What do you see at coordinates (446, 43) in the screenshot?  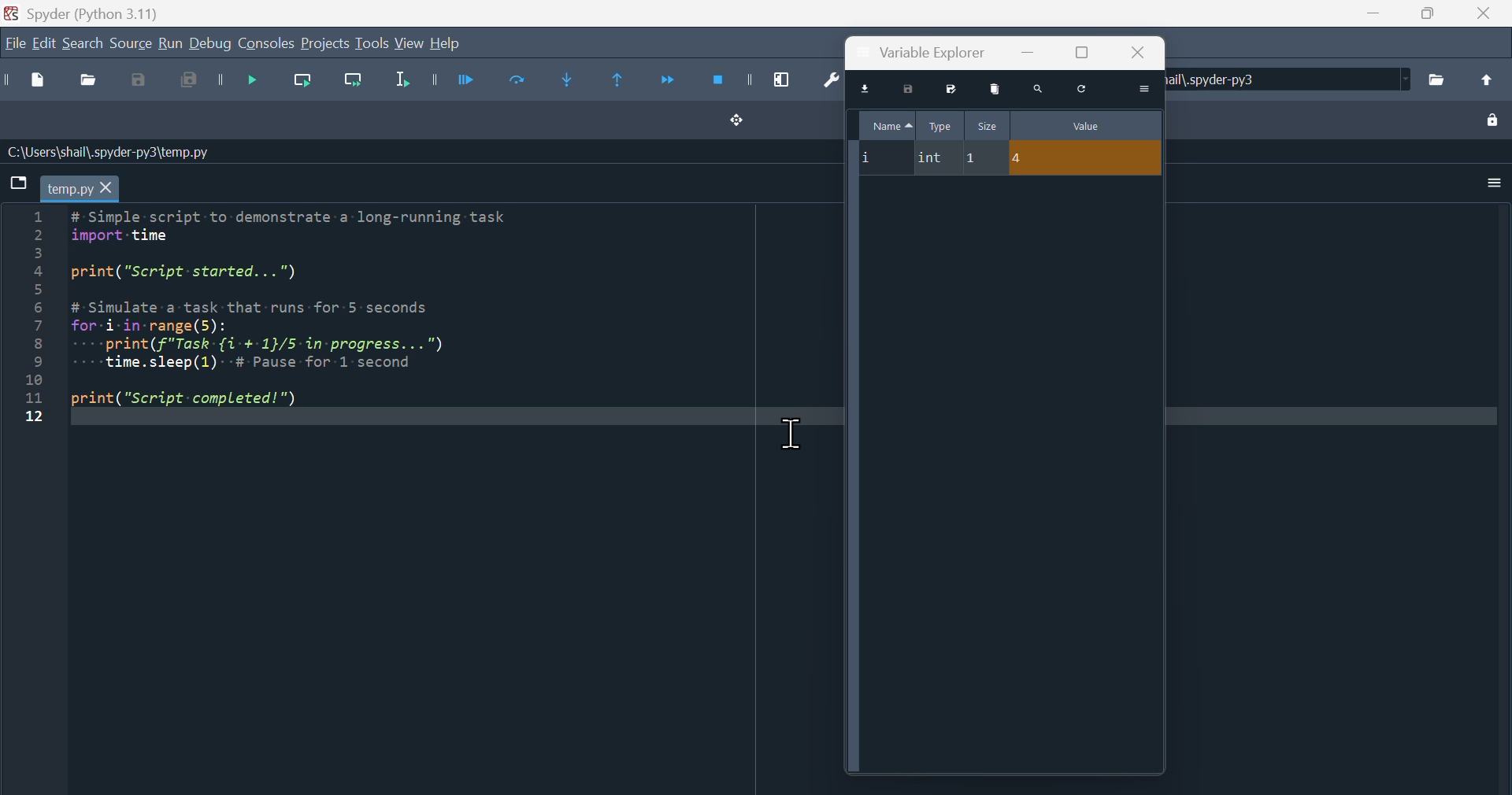 I see `help` at bounding box center [446, 43].